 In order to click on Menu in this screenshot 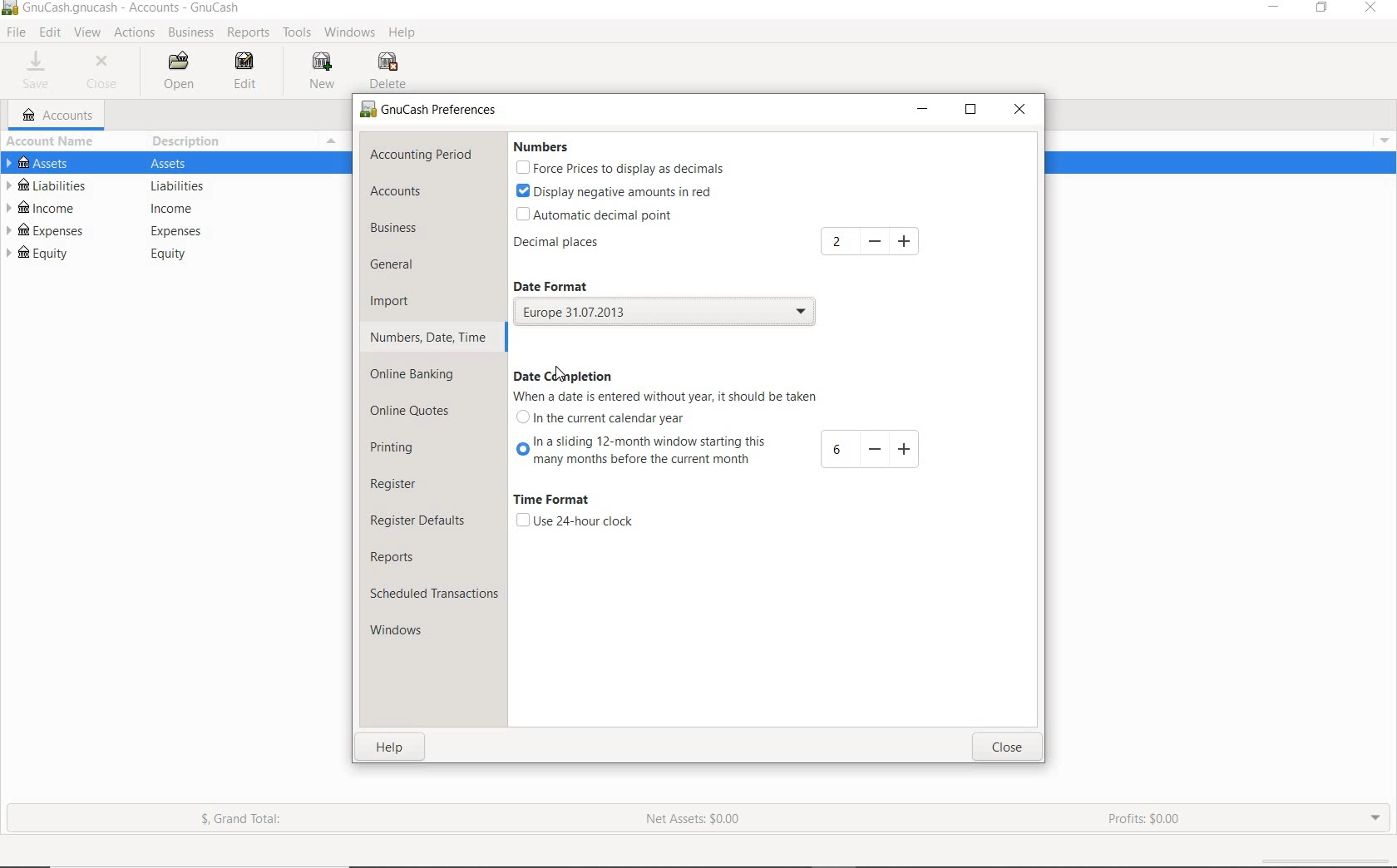, I will do `click(329, 141)`.